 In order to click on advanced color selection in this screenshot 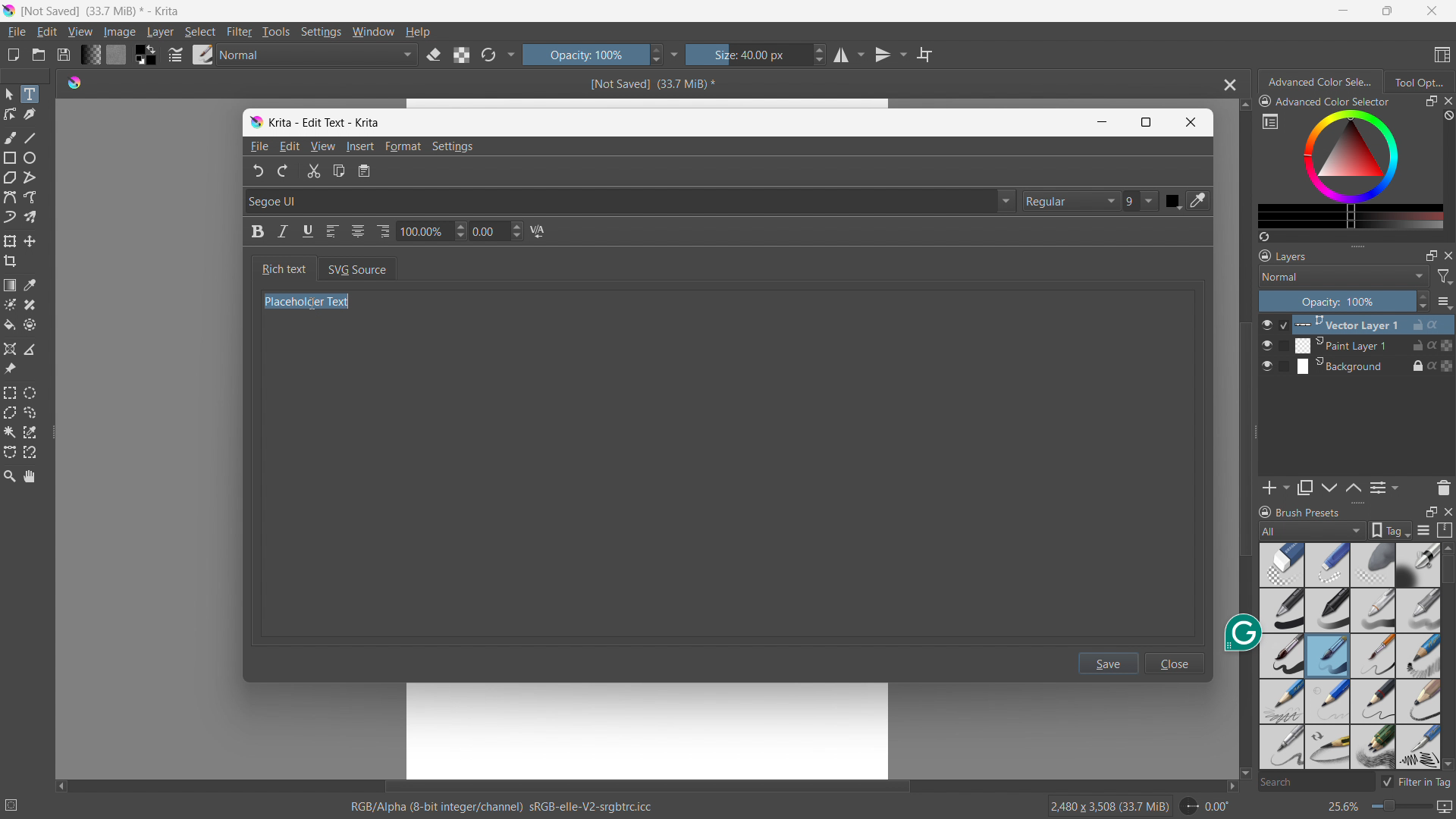, I will do `click(1322, 82)`.